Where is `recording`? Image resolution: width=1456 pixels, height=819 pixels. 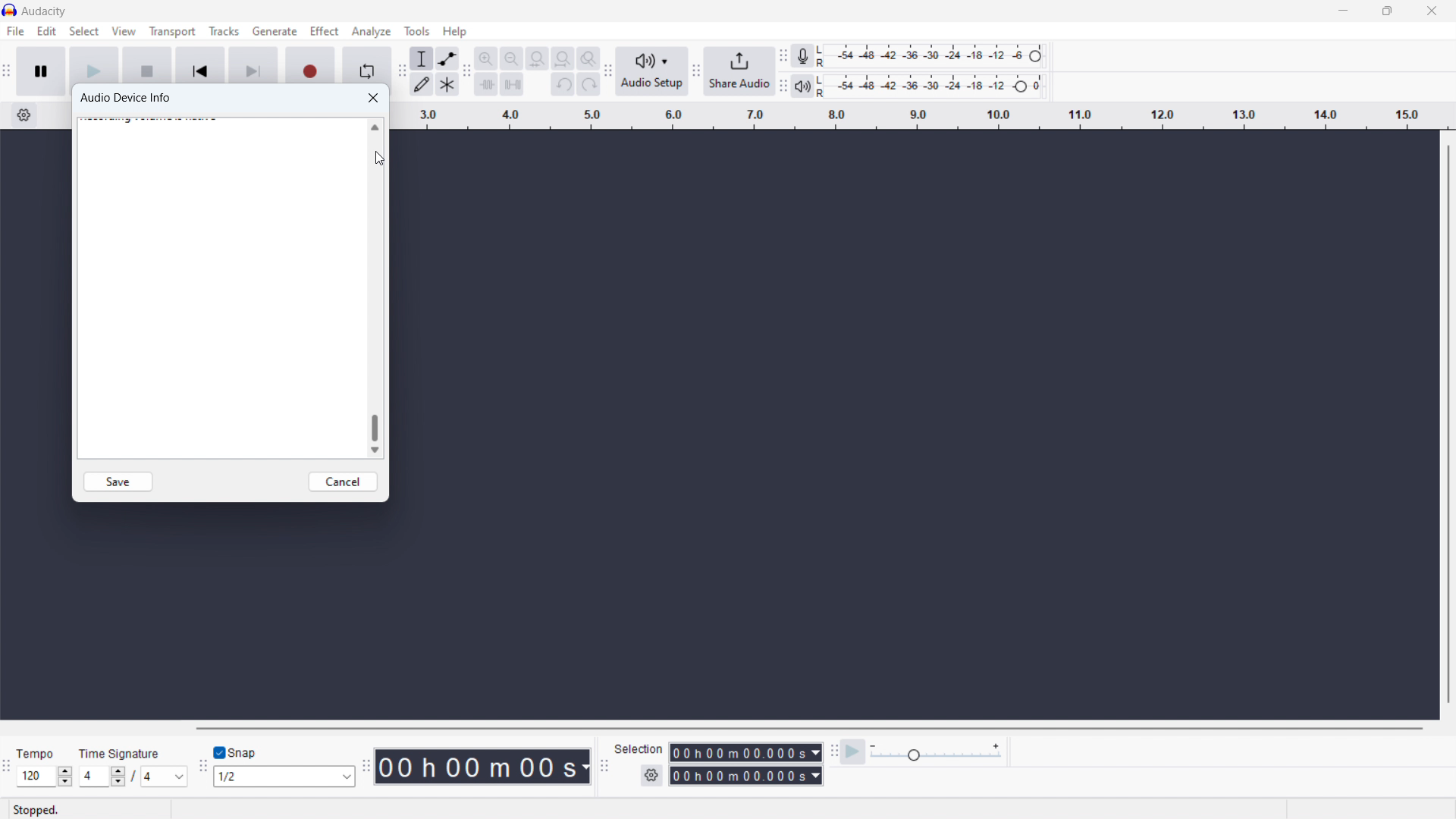 recording is located at coordinates (310, 64).